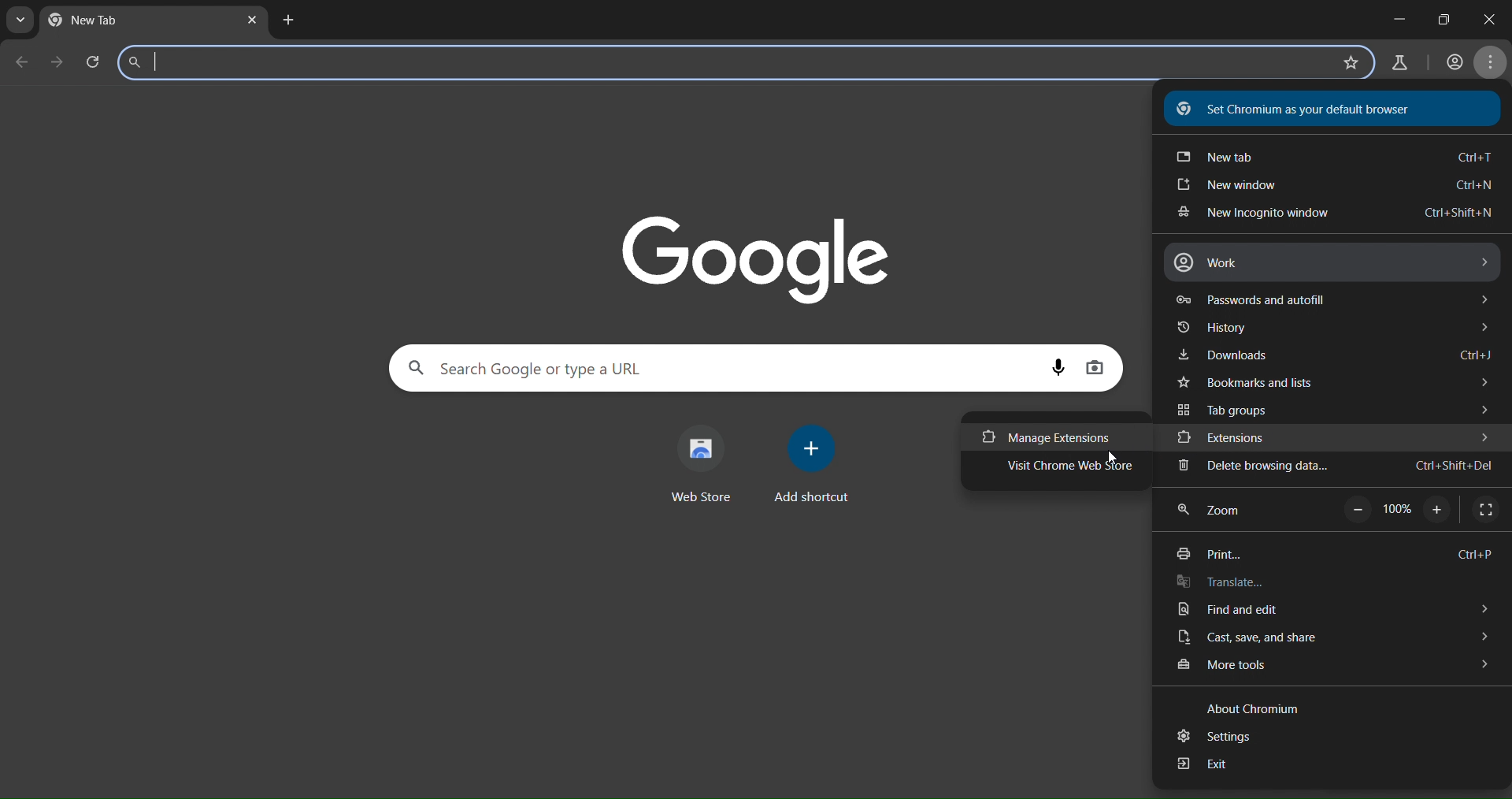 This screenshot has height=799, width=1512. What do you see at coordinates (1210, 734) in the screenshot?
I see `settings` at bounding box center [1210, 734].